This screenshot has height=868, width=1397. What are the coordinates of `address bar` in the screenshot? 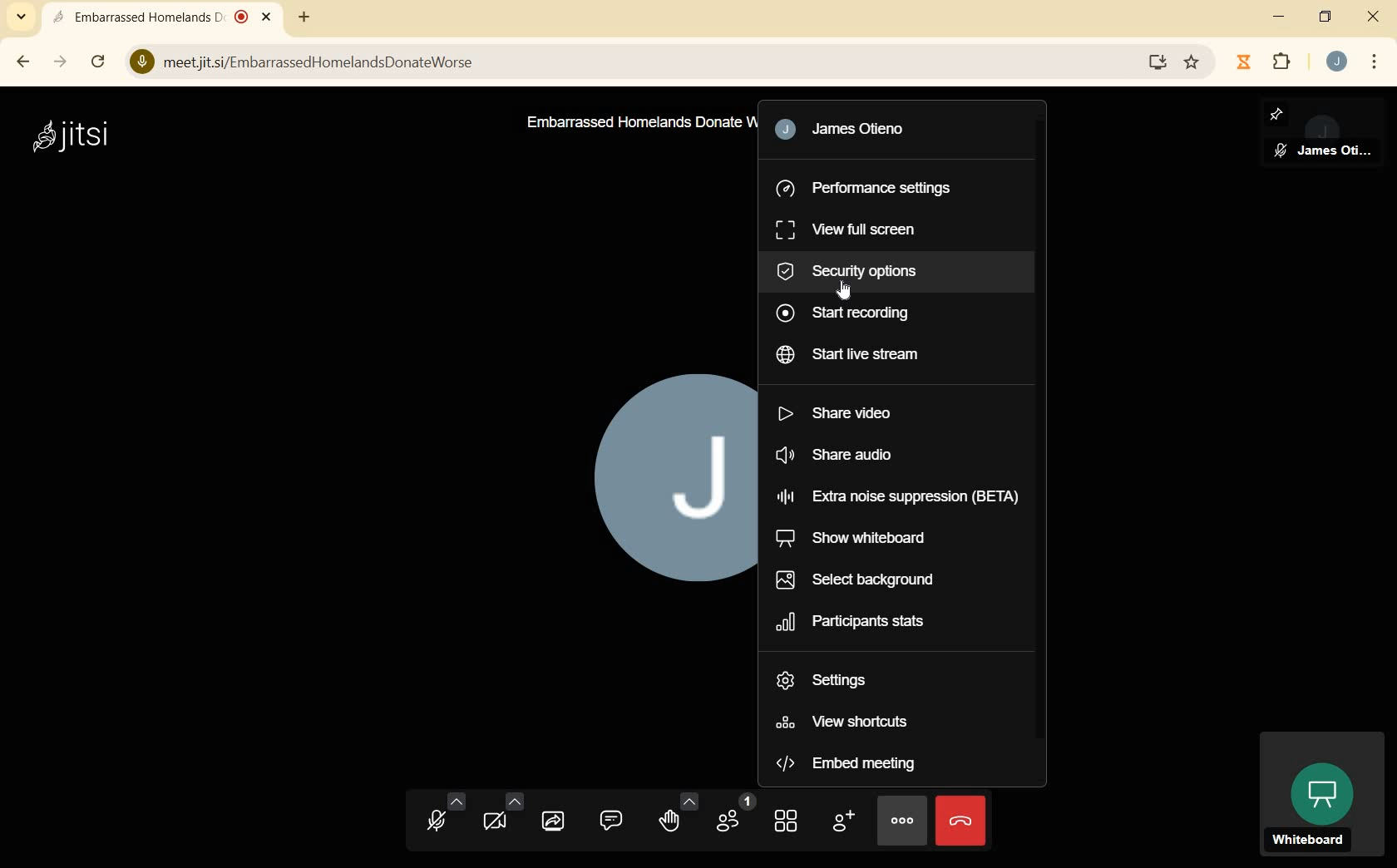 It's located at (630, 62).